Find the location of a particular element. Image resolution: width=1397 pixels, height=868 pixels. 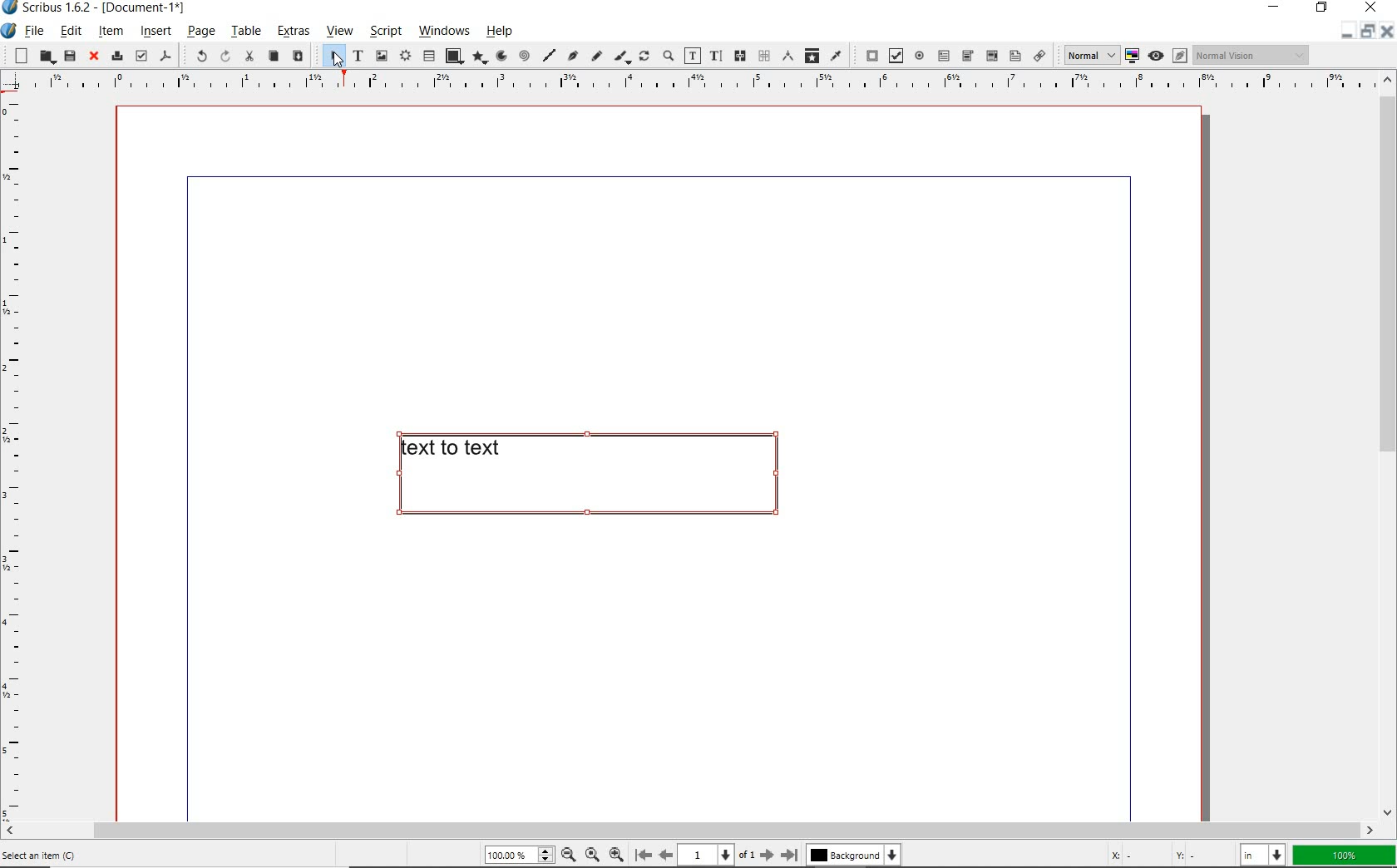

close is located at coordinates (91, 57).